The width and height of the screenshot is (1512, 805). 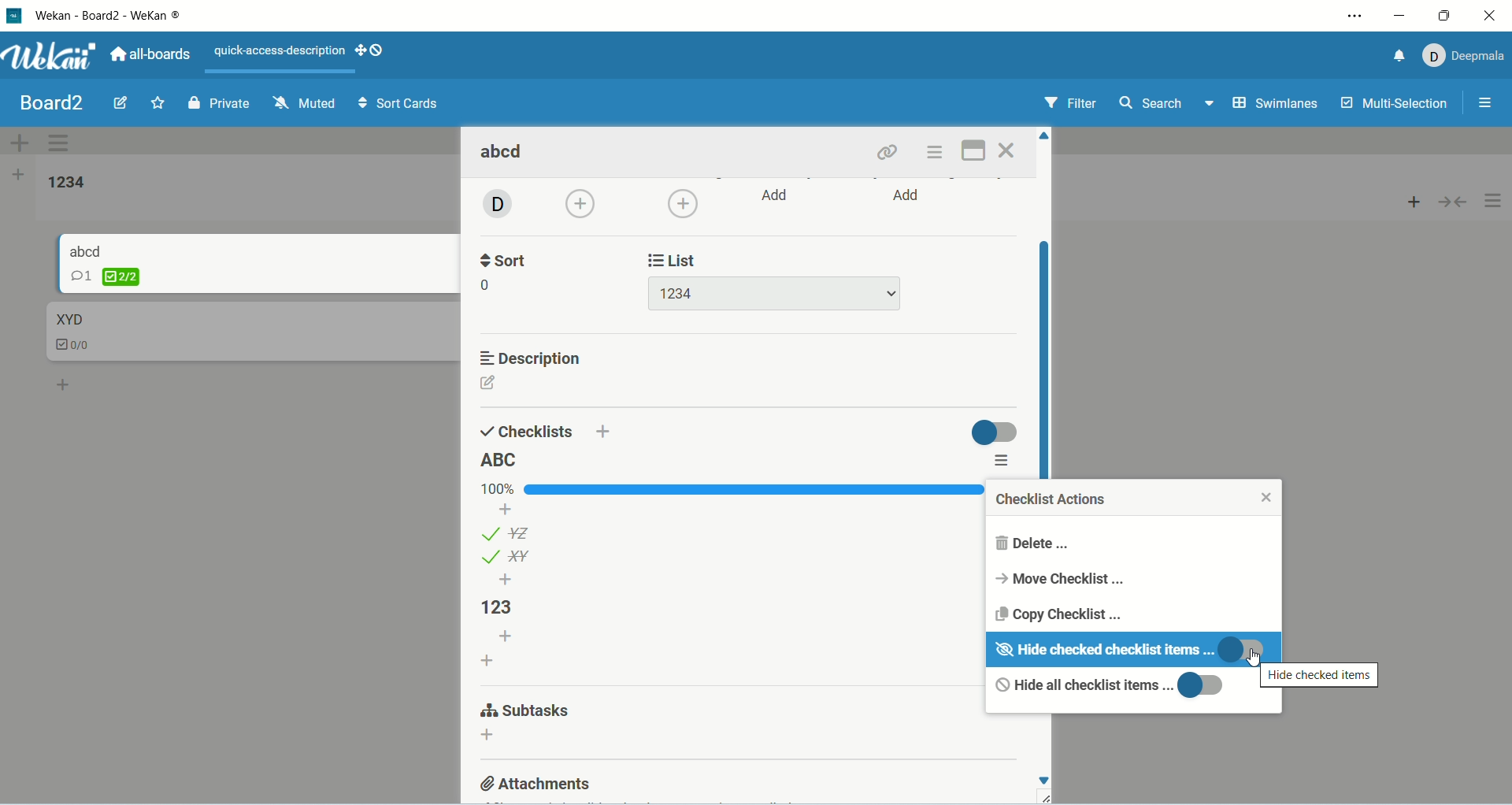 I want to click on toggle button, so click(x=993, y=432).